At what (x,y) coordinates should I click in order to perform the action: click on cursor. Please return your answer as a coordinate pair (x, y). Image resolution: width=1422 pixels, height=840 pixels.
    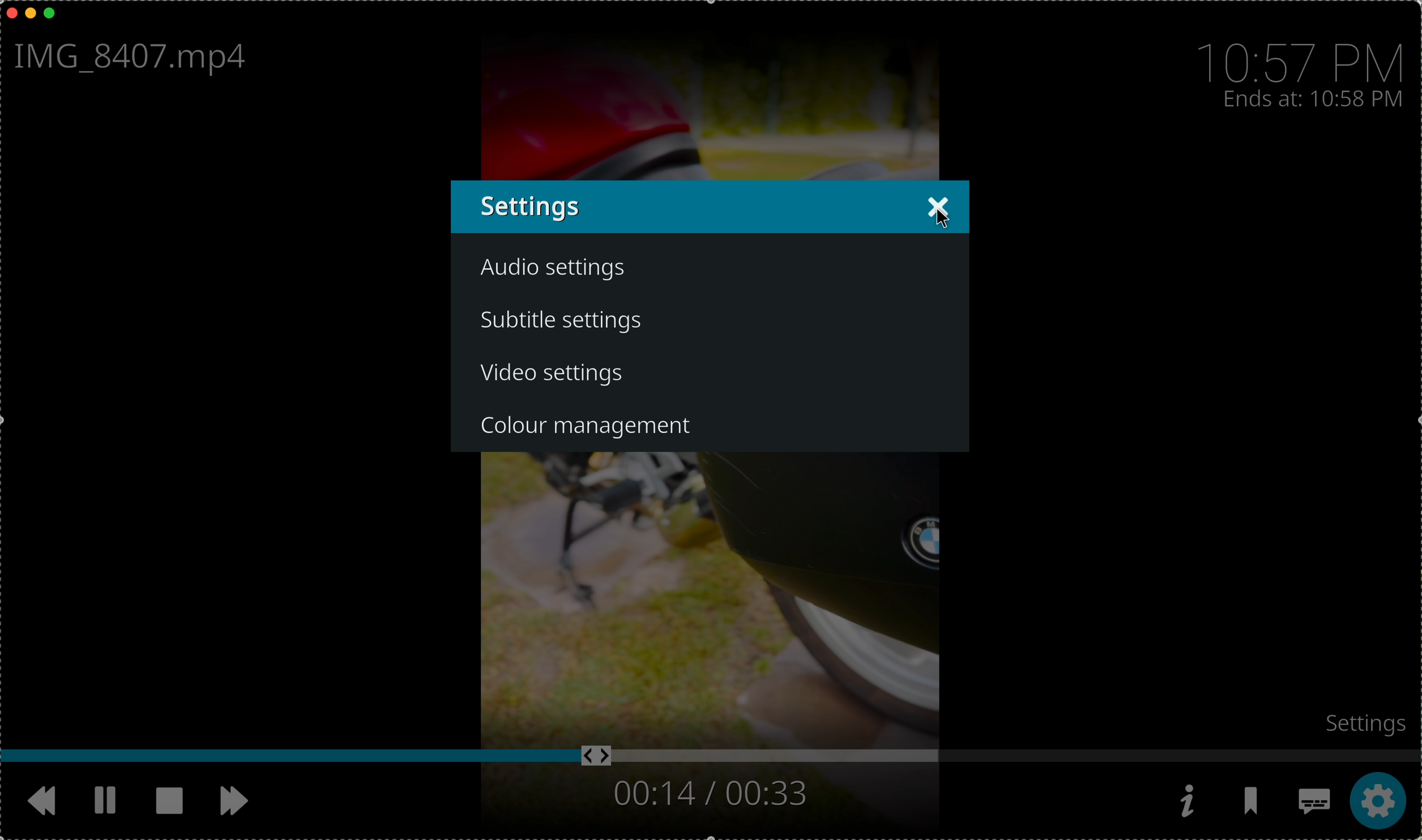
    Looking at the image, I should click on (942, 223).